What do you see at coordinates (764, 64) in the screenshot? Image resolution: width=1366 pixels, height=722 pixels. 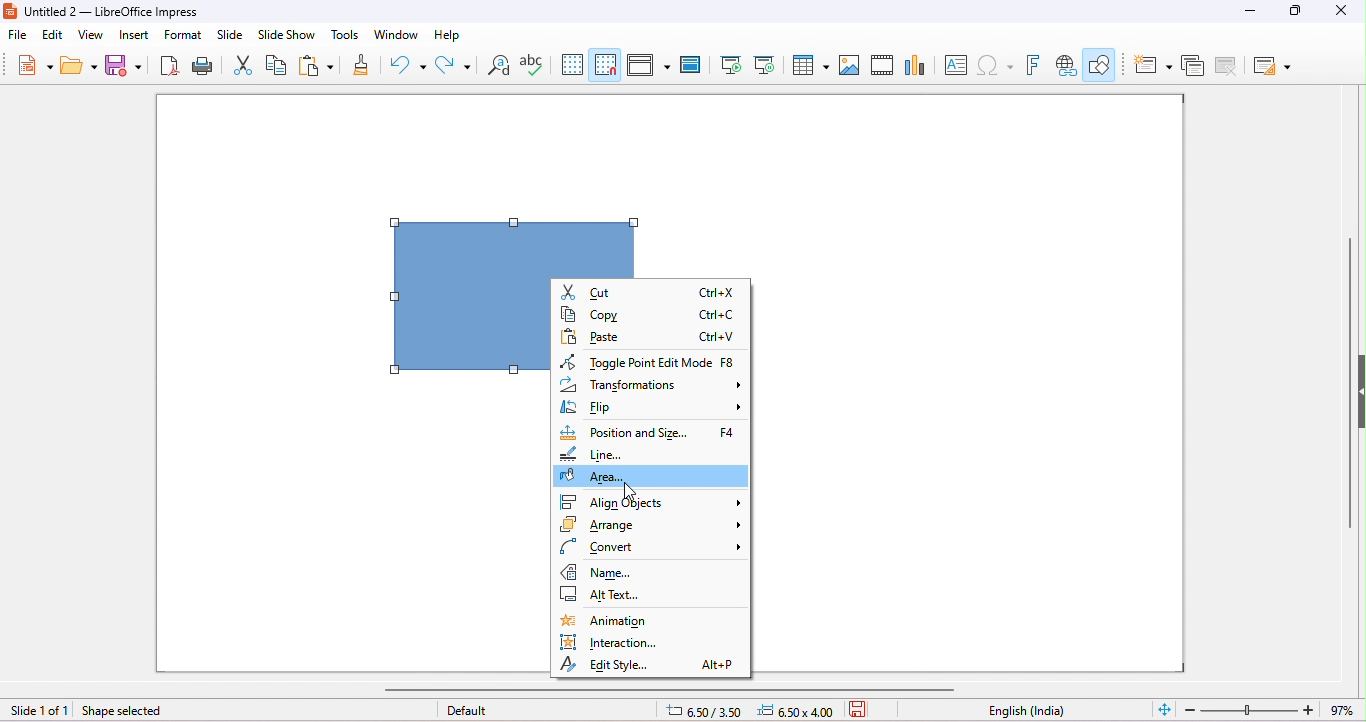 I see `start from current` at bounding box center [764, 64].